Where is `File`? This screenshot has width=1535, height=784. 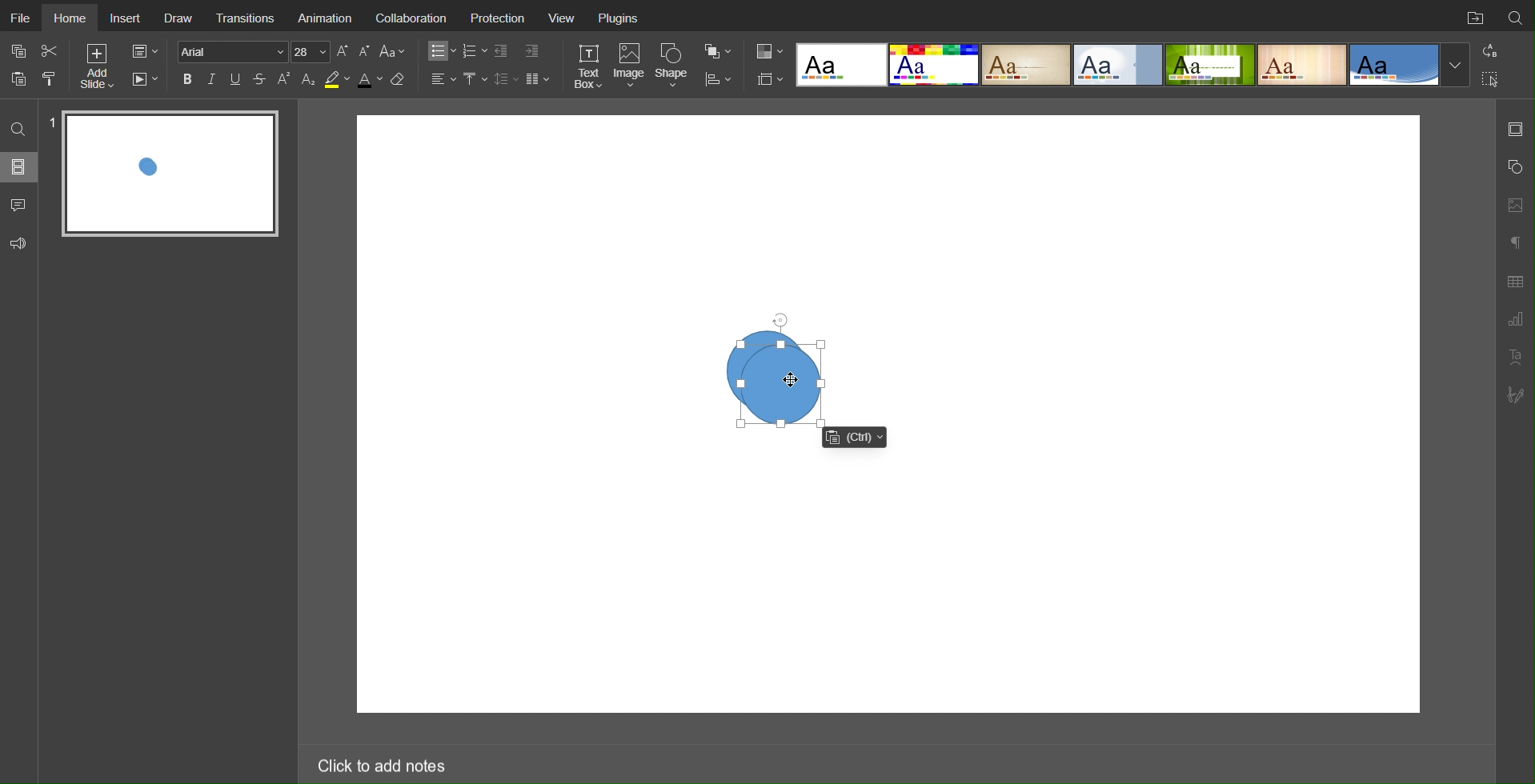
File is located at coordinates (21, 18).